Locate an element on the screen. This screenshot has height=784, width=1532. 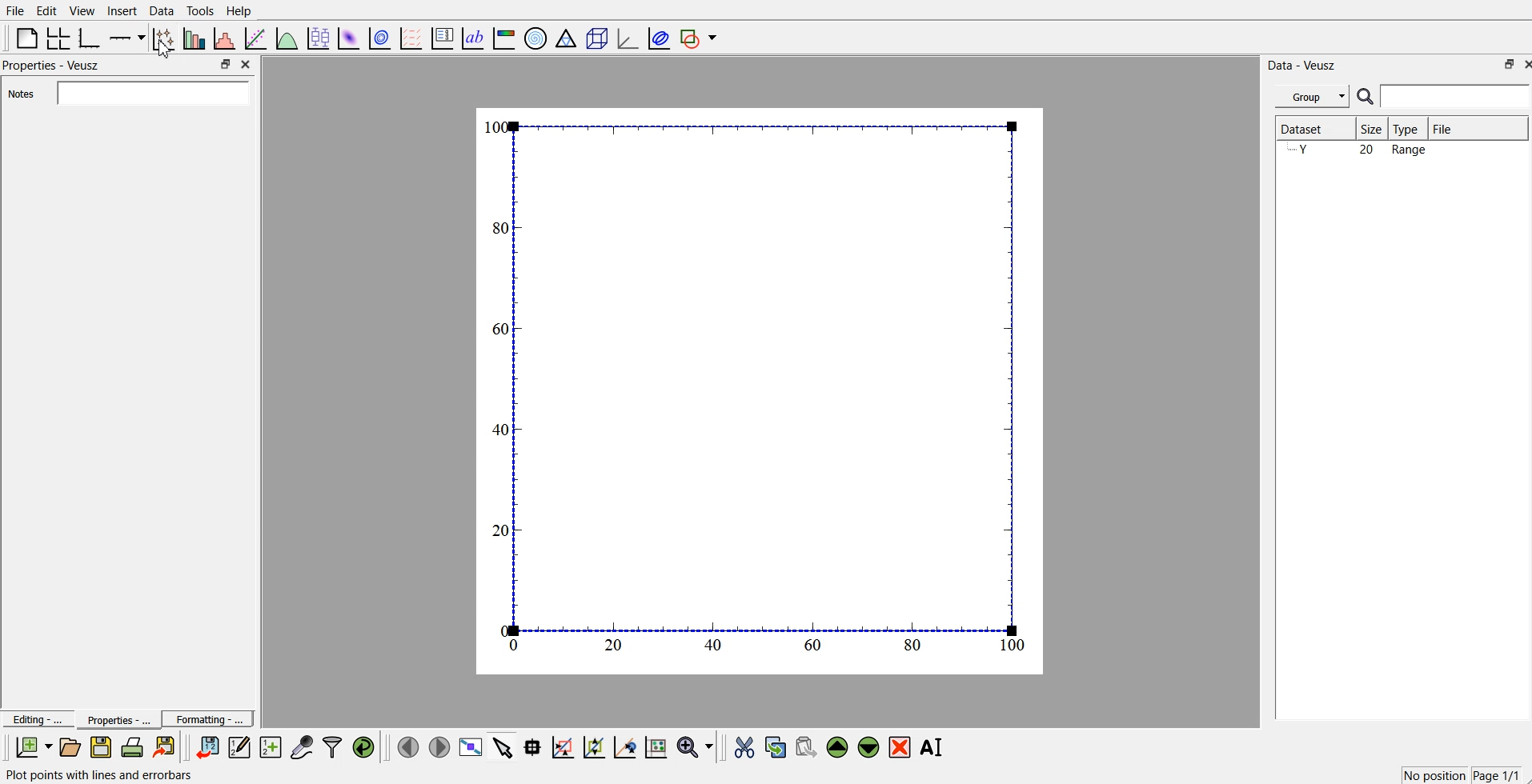
fit a function to data is located at coordinates (256, 38).